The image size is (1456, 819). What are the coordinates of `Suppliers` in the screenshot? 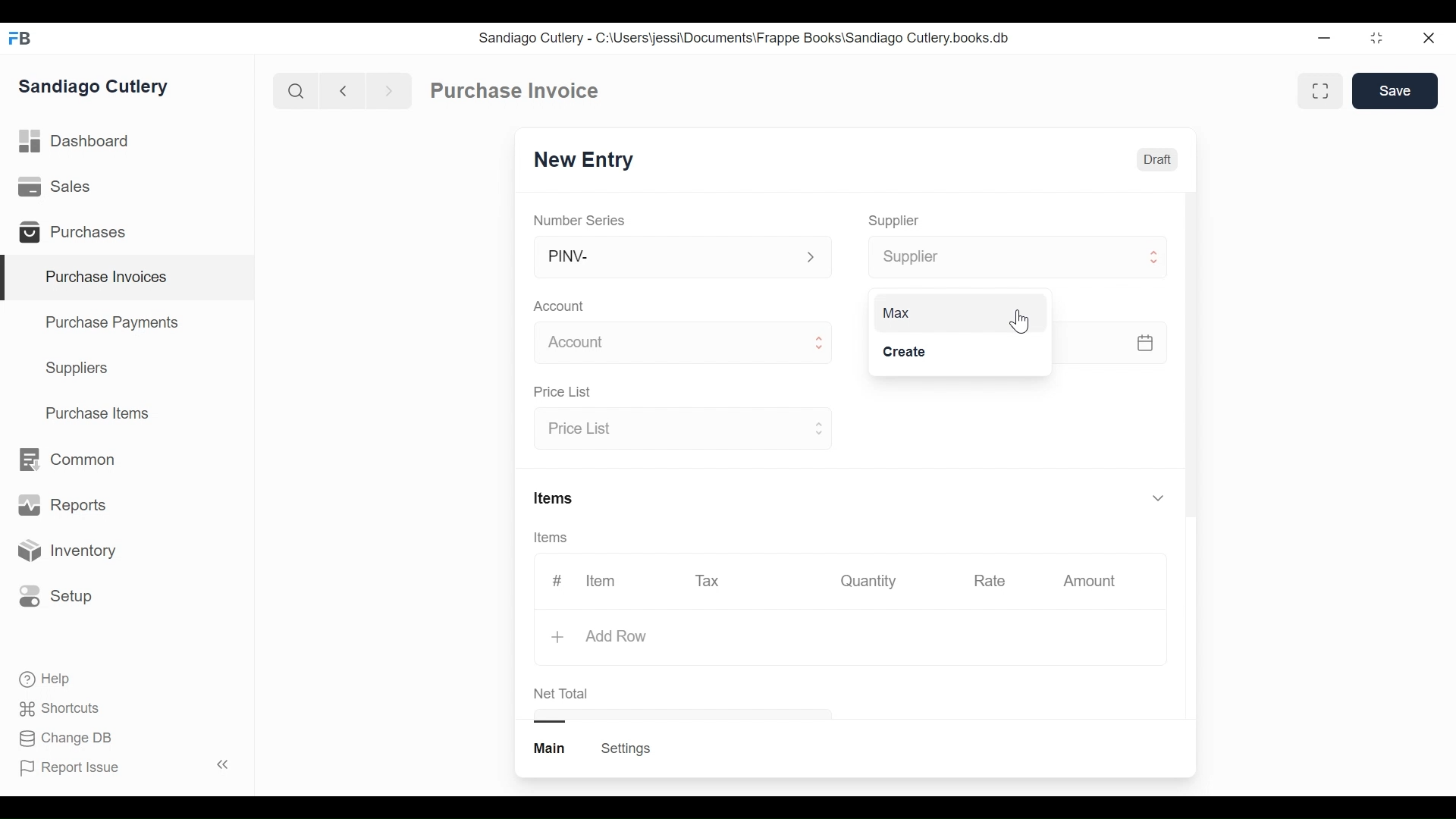 It's located at (77, 369).